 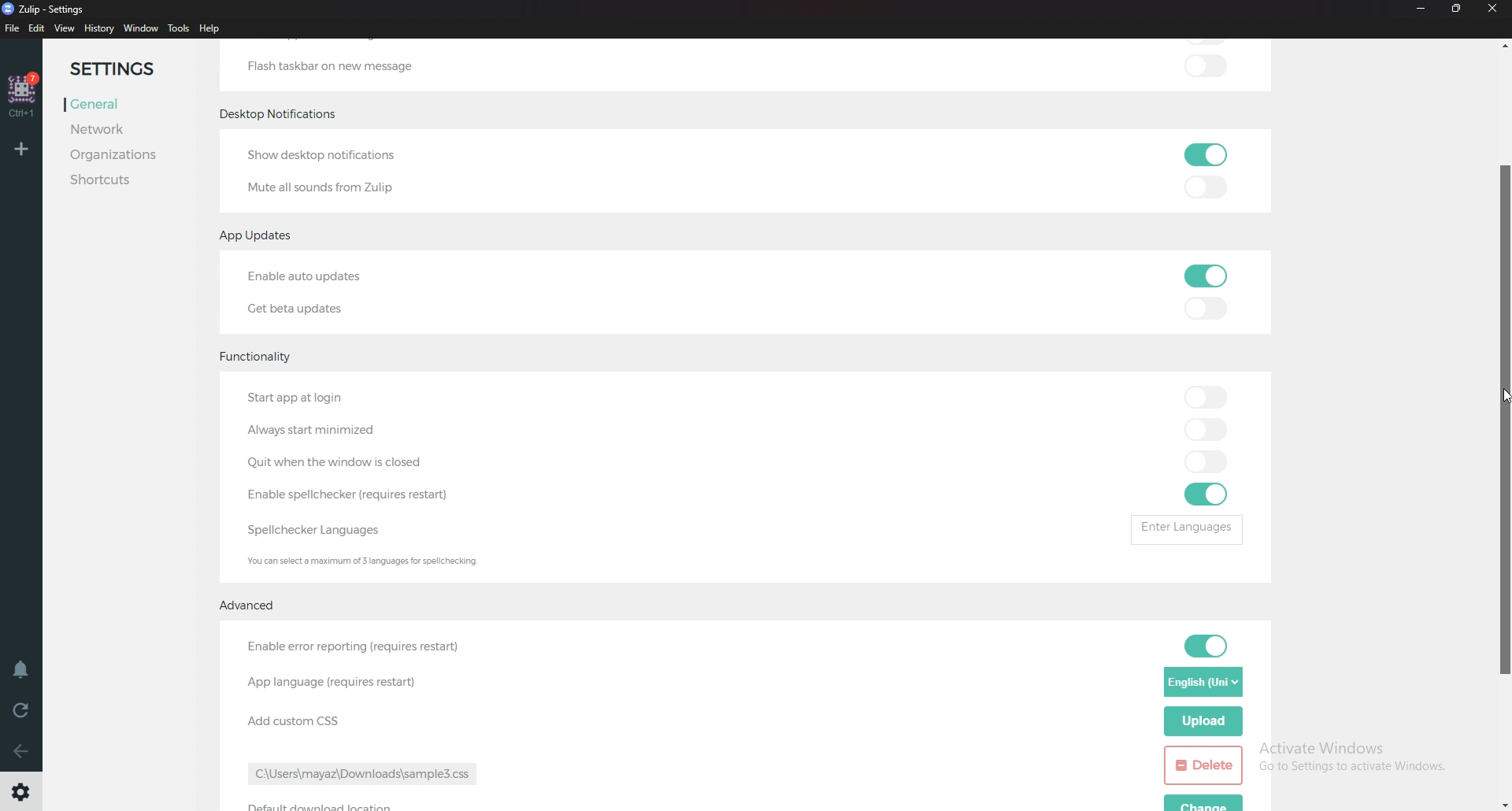 I want to click on Enable do not disturb, so click(x=25, y=670).